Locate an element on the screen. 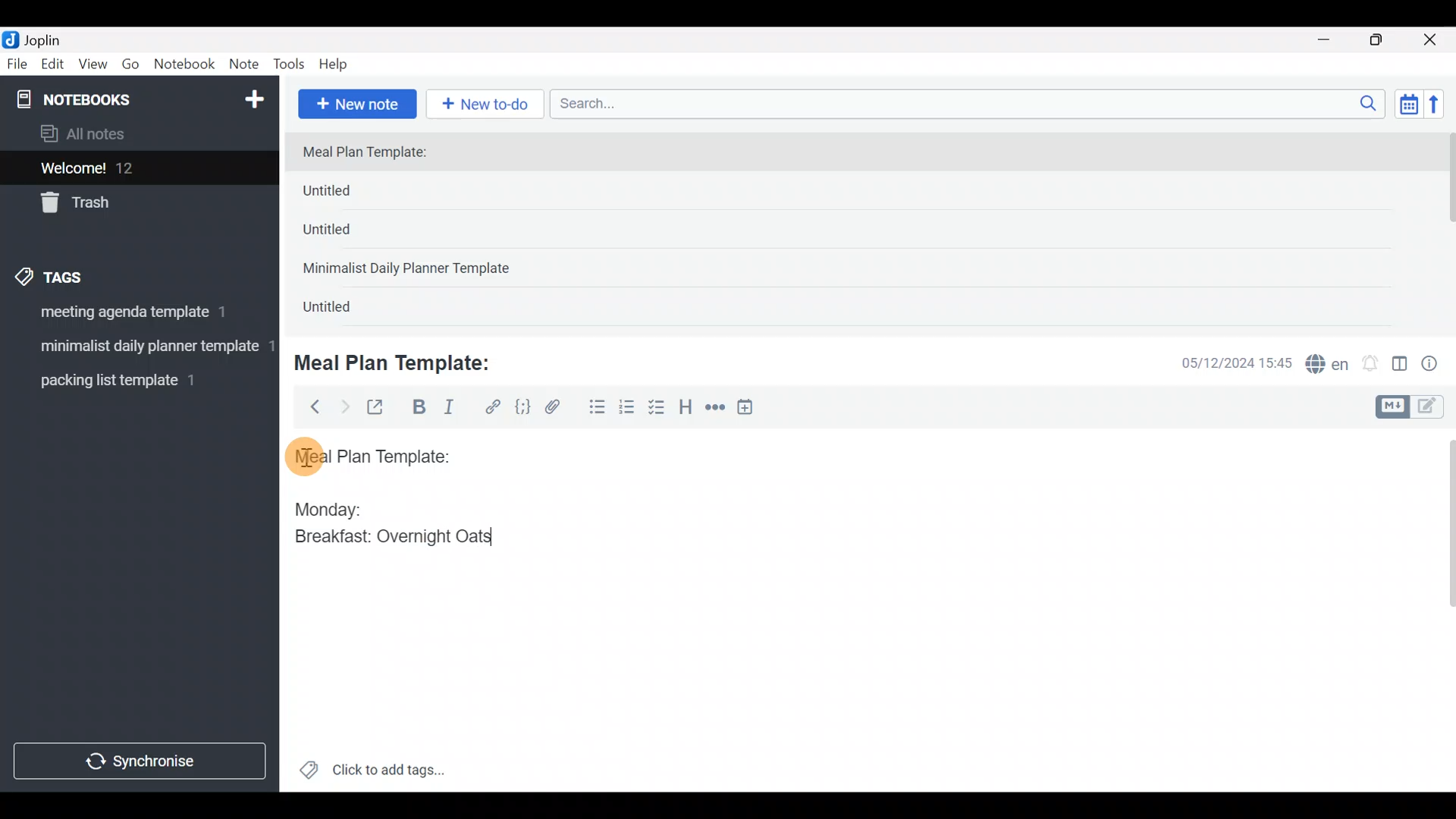  Hyperlink is located at coordinates (493, 407).